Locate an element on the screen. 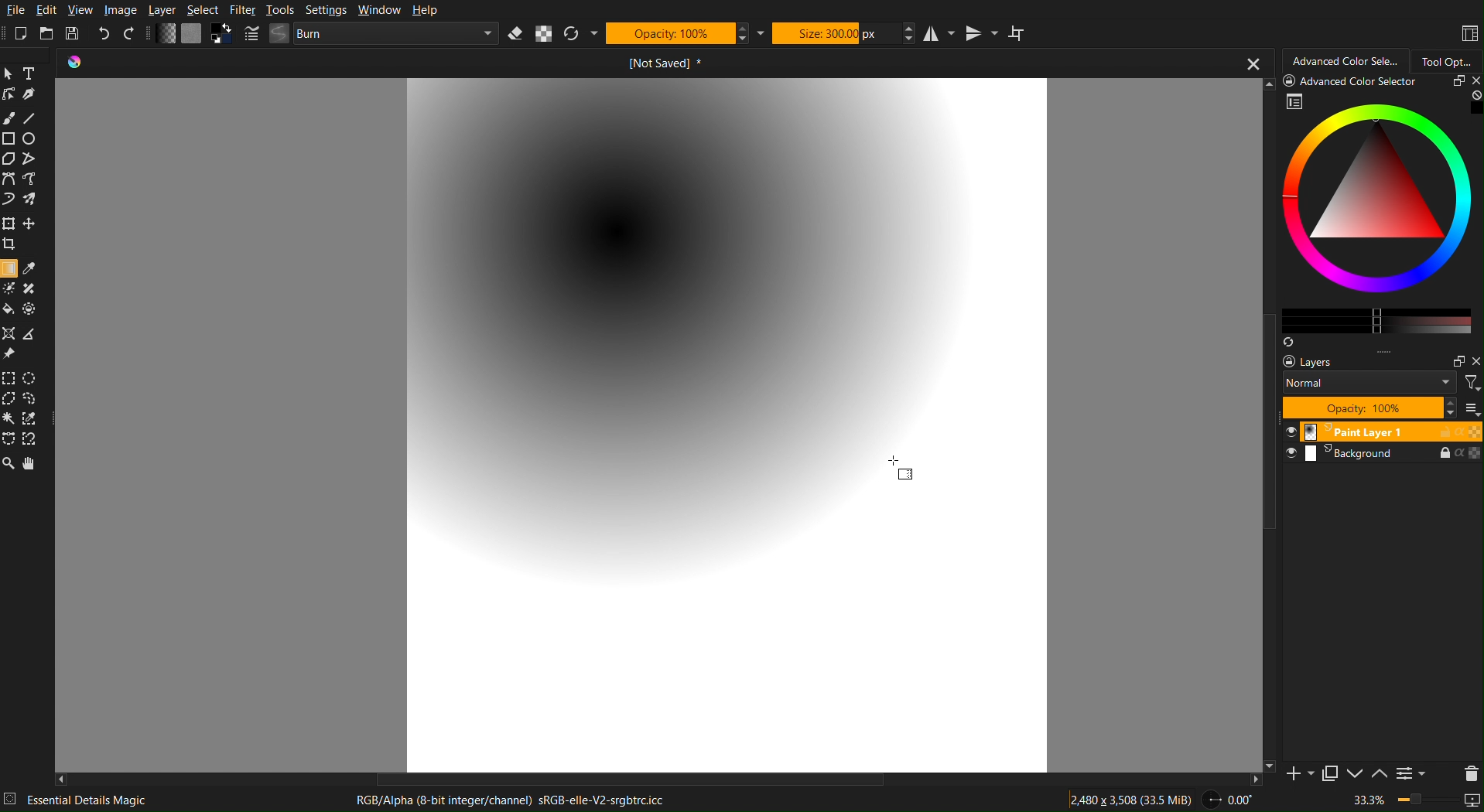 The image size is (1484, 812). Size is located at coordinates (834, 32).